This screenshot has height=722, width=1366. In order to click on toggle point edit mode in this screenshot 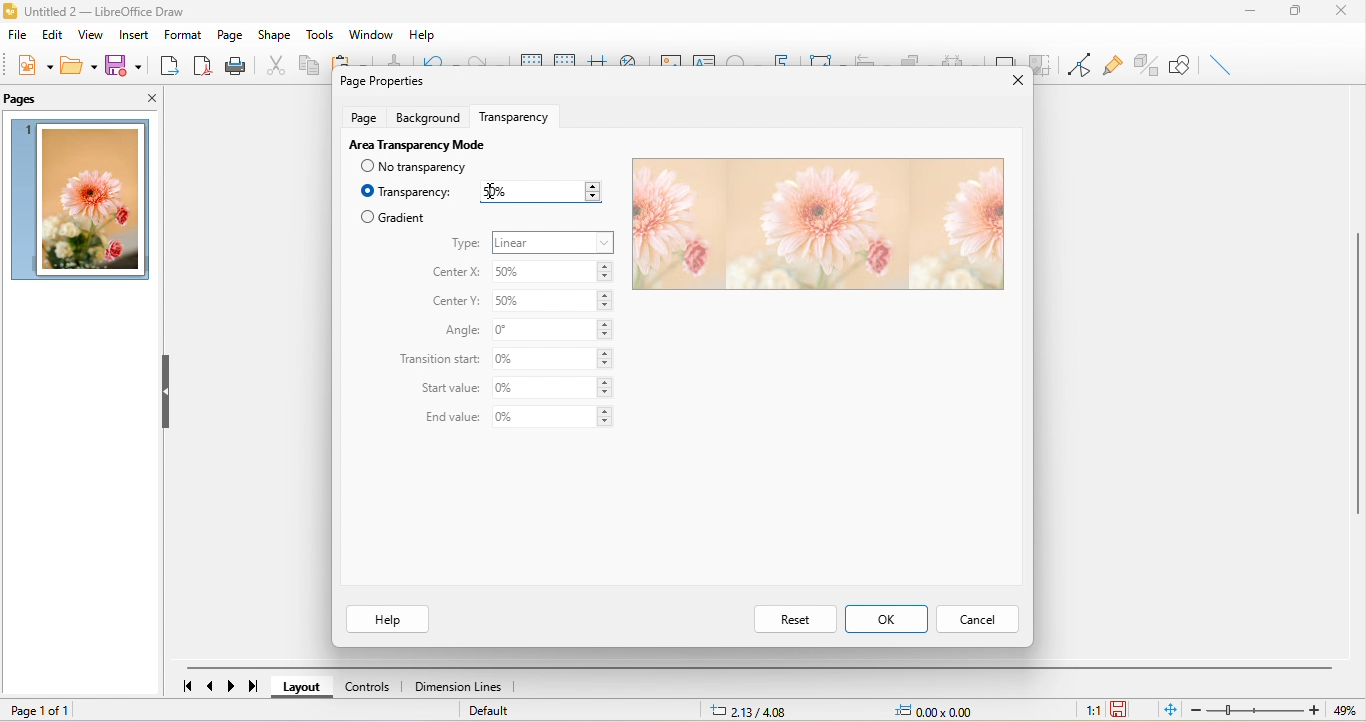, I will do `click(1076, 65)`.